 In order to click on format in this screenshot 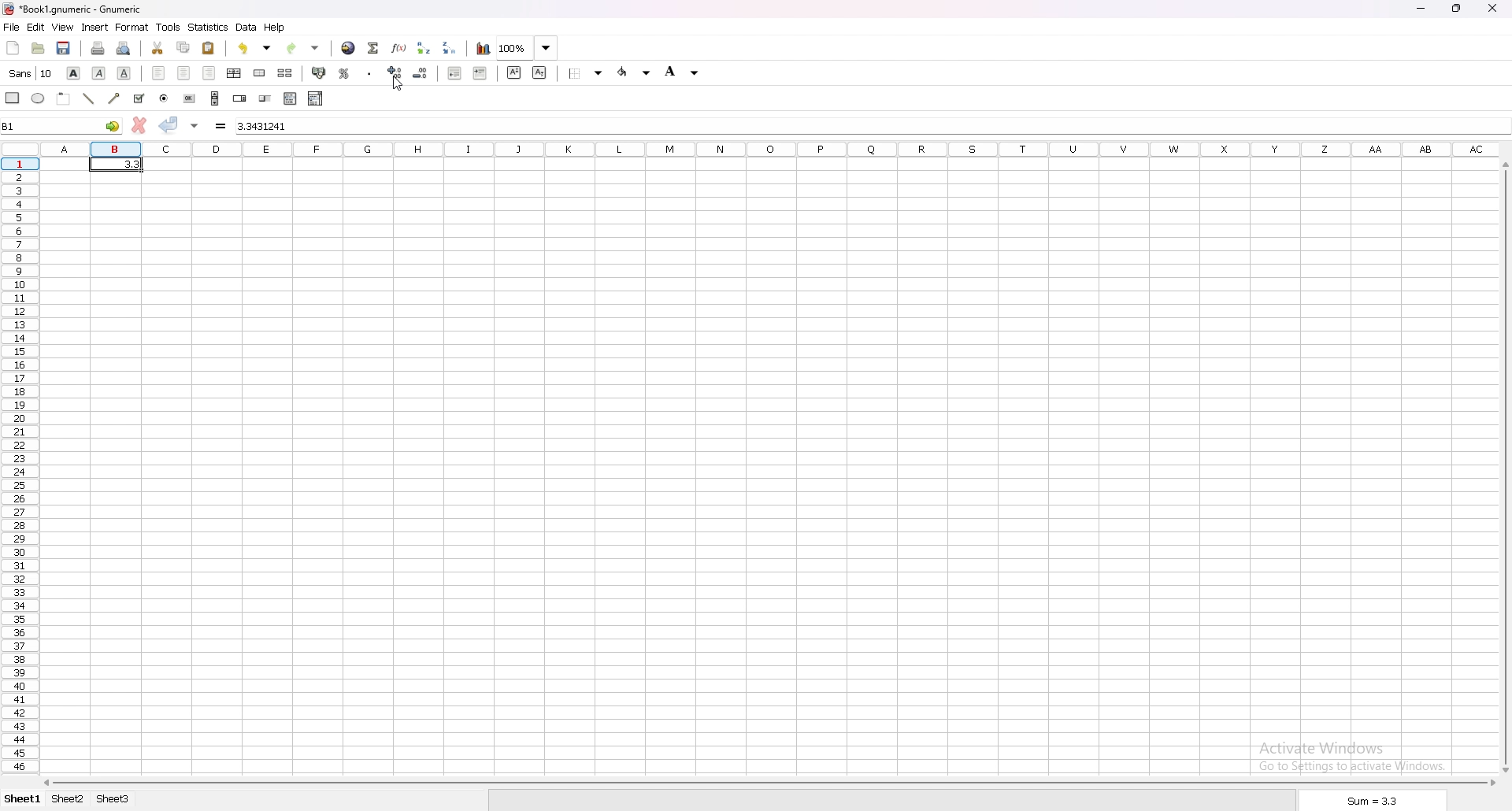, I will do `click(132, 27)`.